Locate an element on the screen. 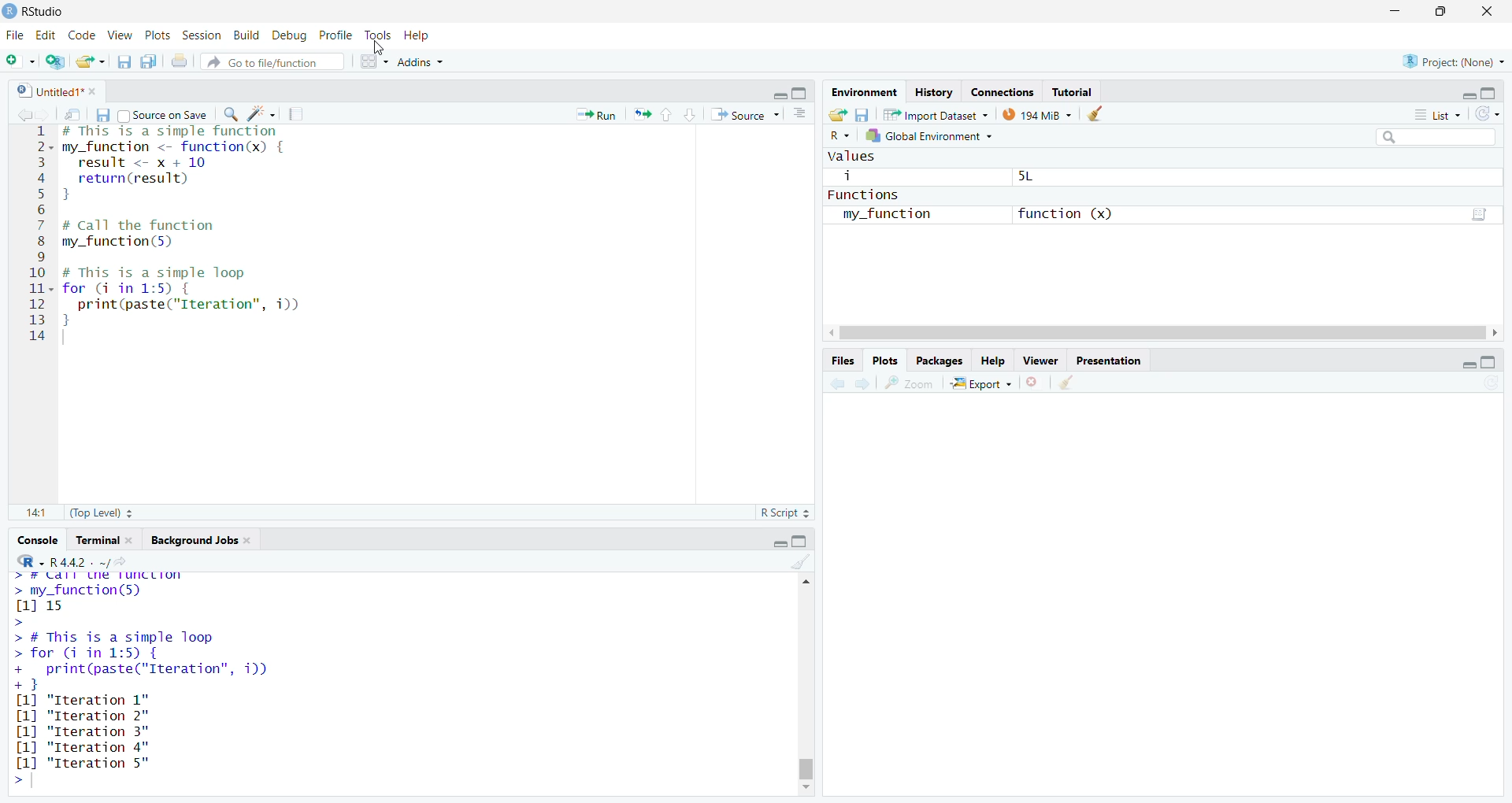 This screenshot has width=1512, height=803. scrollbar is located at coordinates (1165, 333).